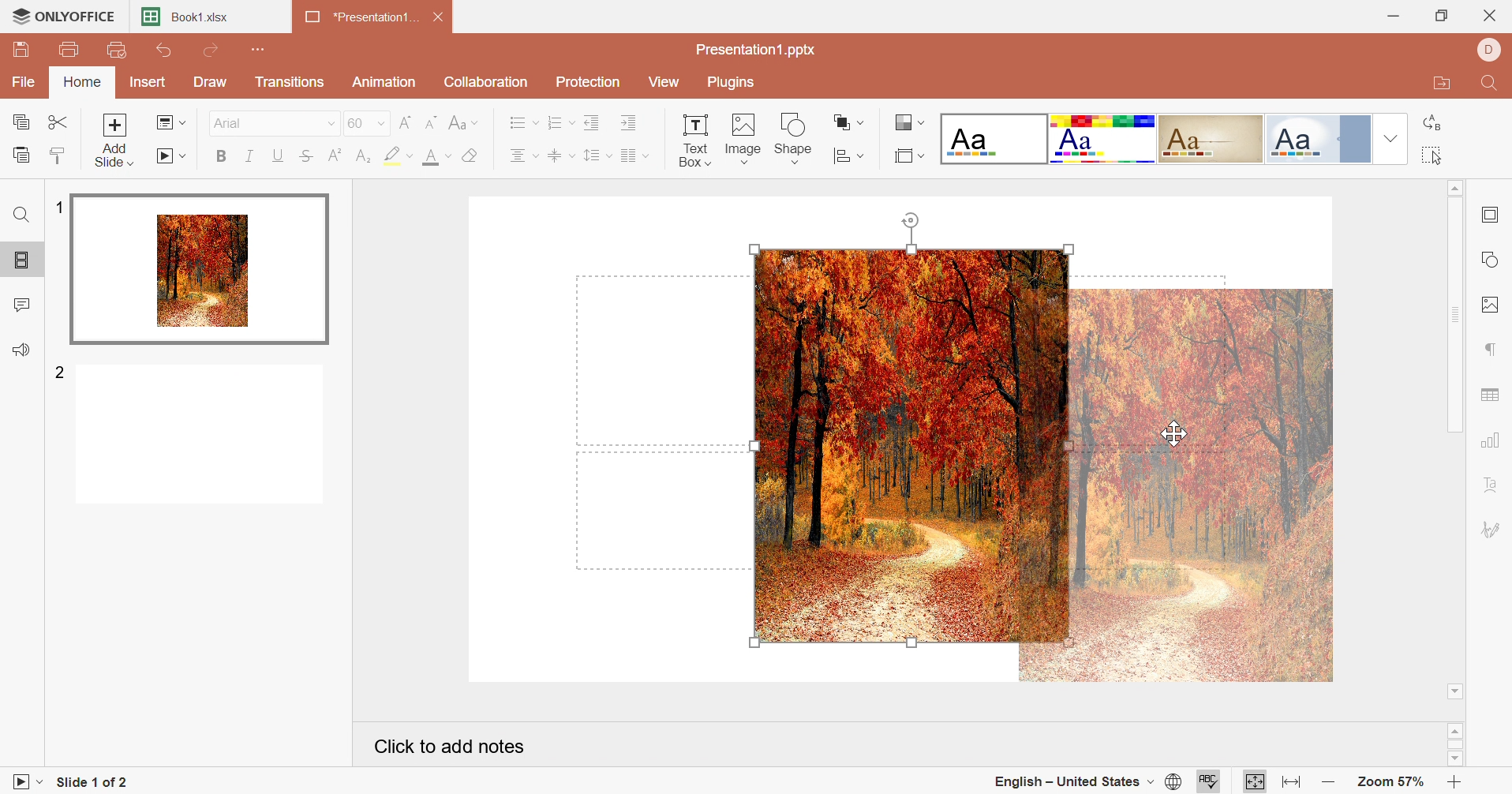 The height and width of the screenshot is (794, 1512). I want to click on Slides, so click(22, 261).